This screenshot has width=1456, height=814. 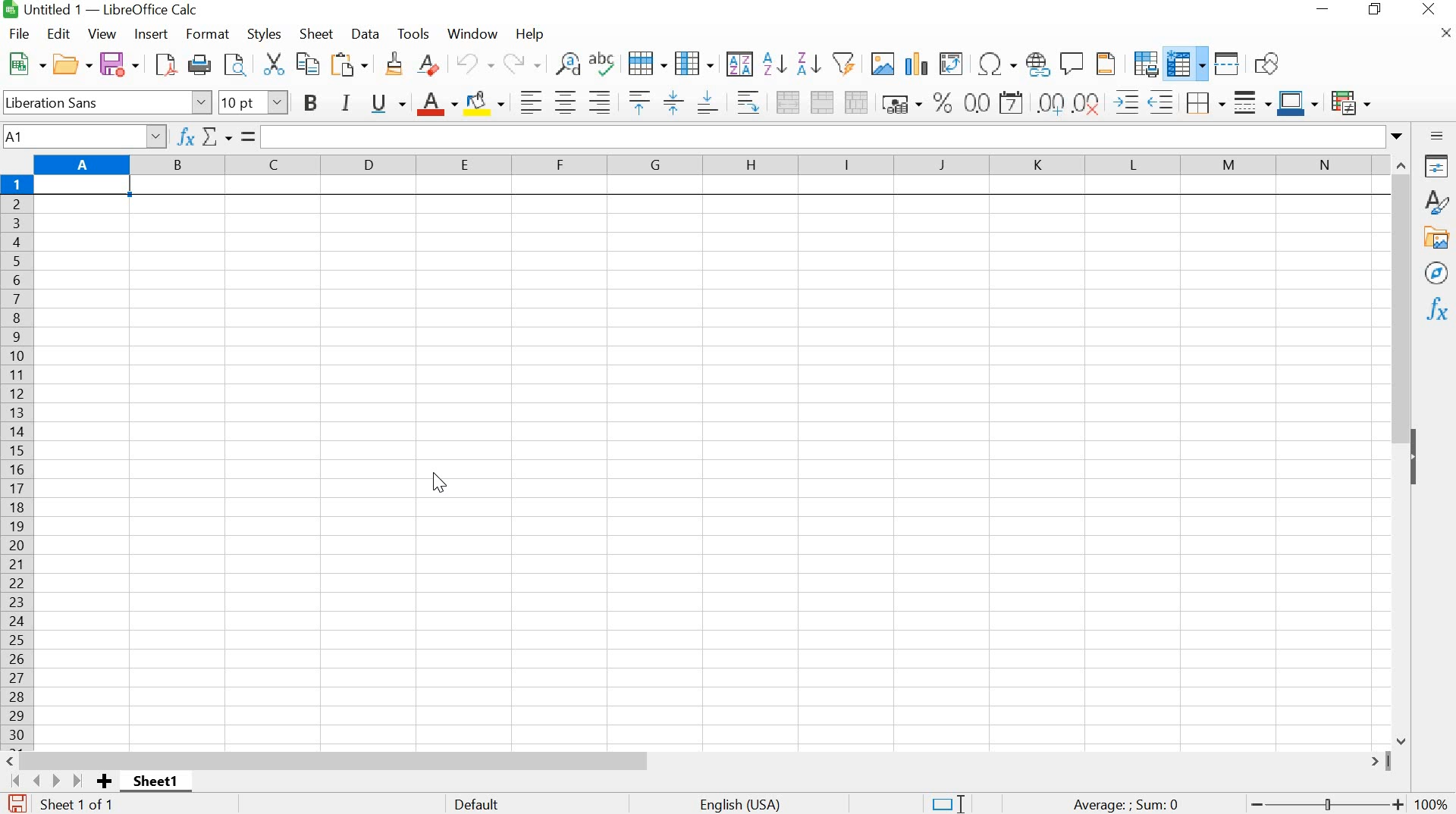 What do you see at coordinates (1109, 64) in the screenshot?
I see `HEADERS AND FOOTERS` at bounding box center [1109, 64].